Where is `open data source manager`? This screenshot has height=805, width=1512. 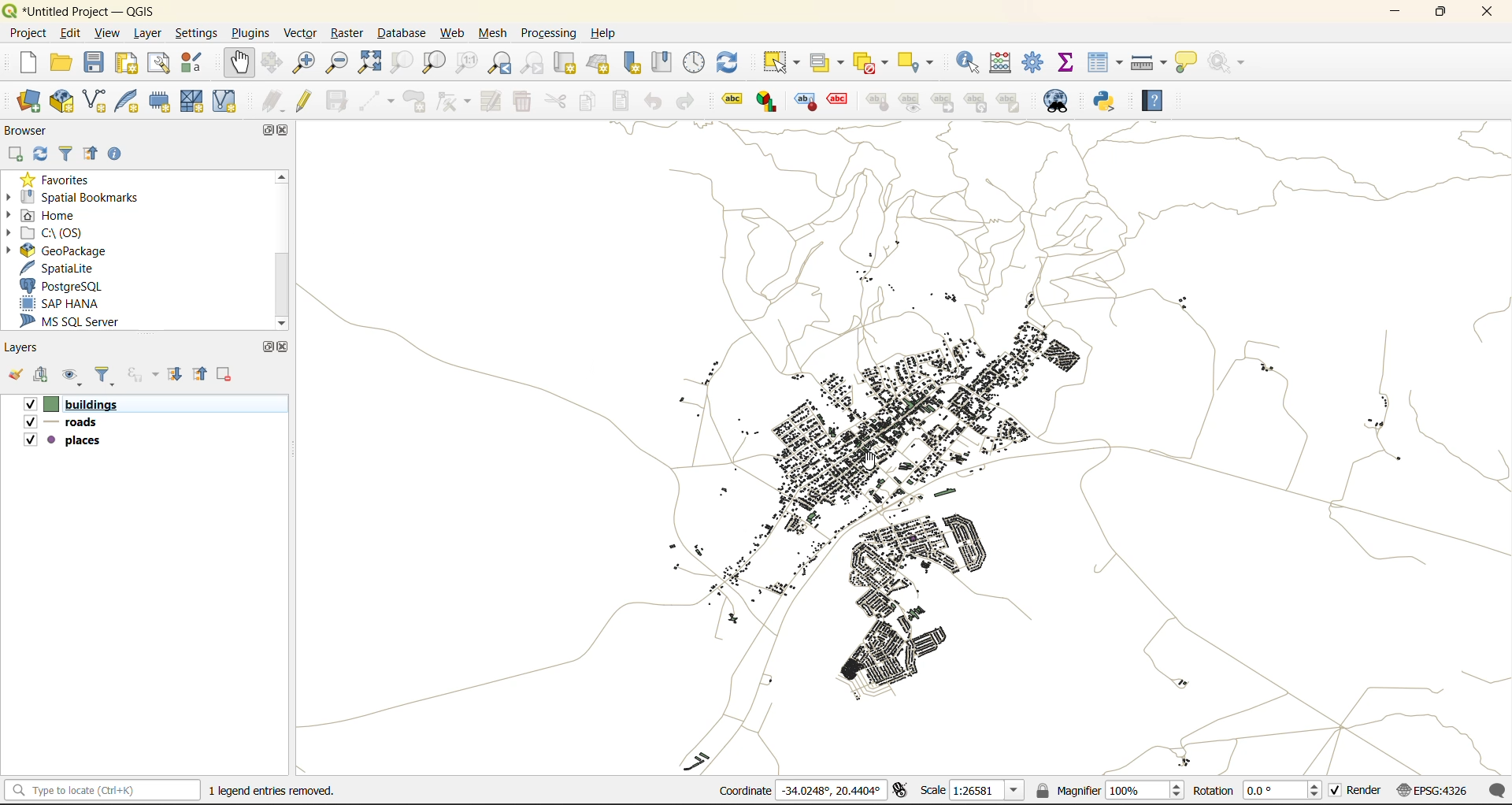 open data source manager is located at coordinates (29, 101).